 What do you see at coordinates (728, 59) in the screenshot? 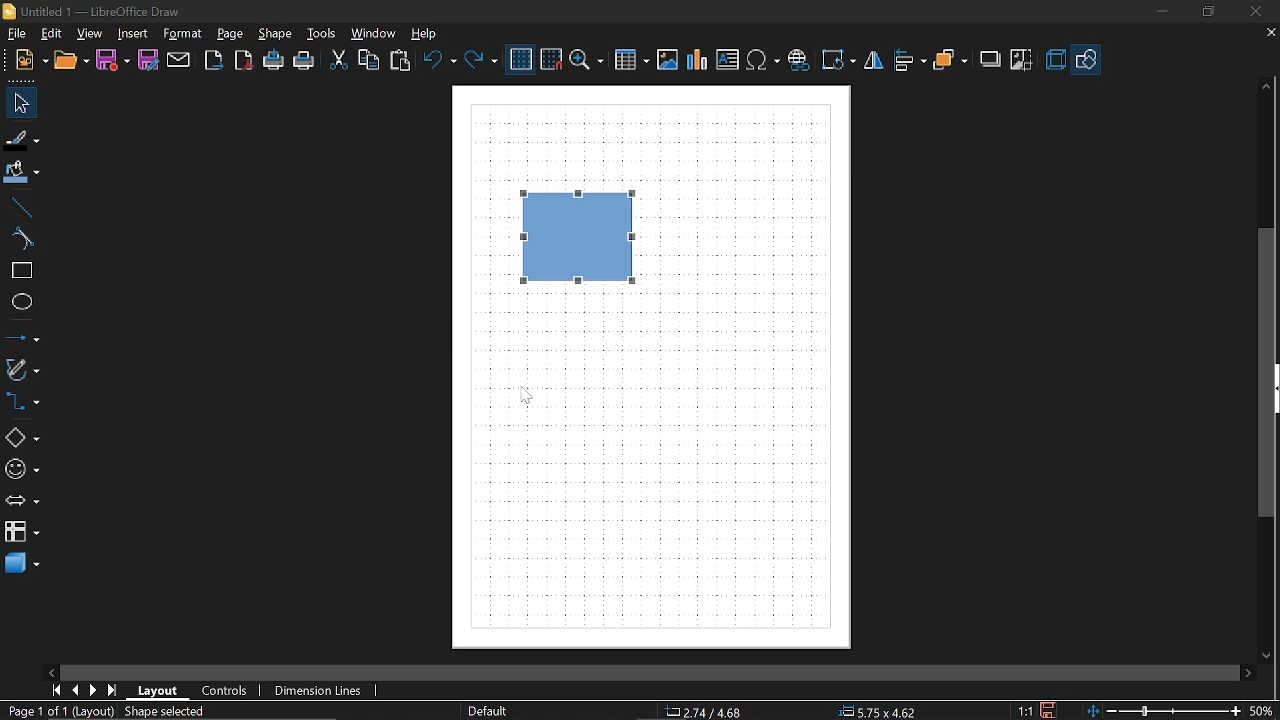
I see `Insert chart` at bounding box center [728, 59].